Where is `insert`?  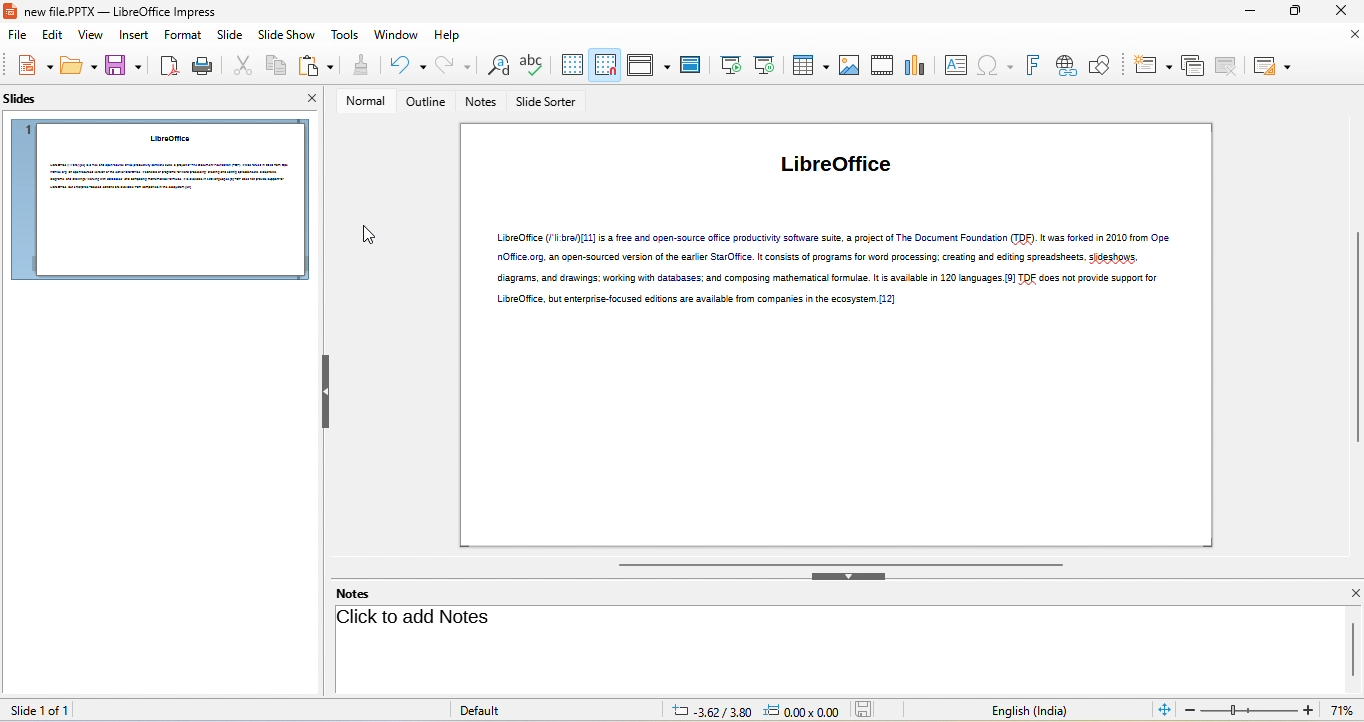
insert is located at coordinates (132, 36).